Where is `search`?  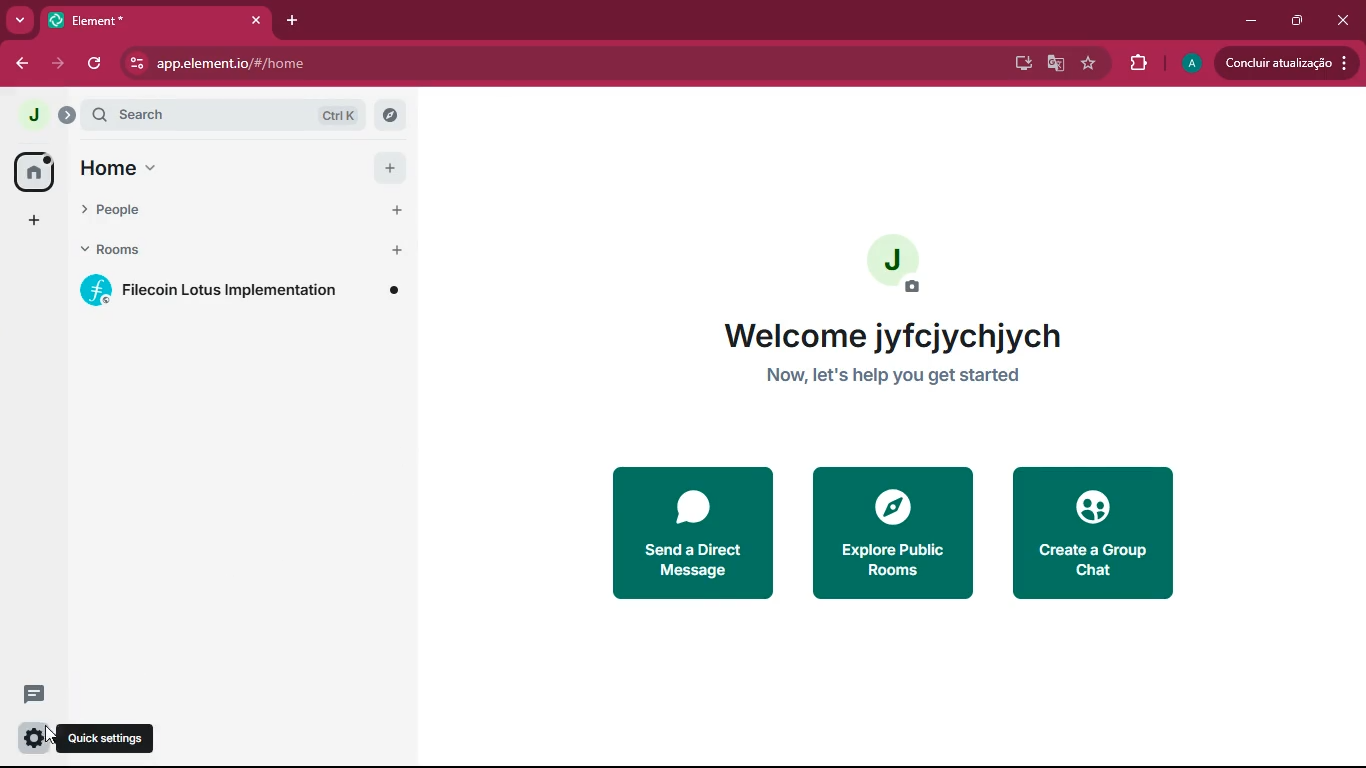 search is located at coordinates (224, 115).